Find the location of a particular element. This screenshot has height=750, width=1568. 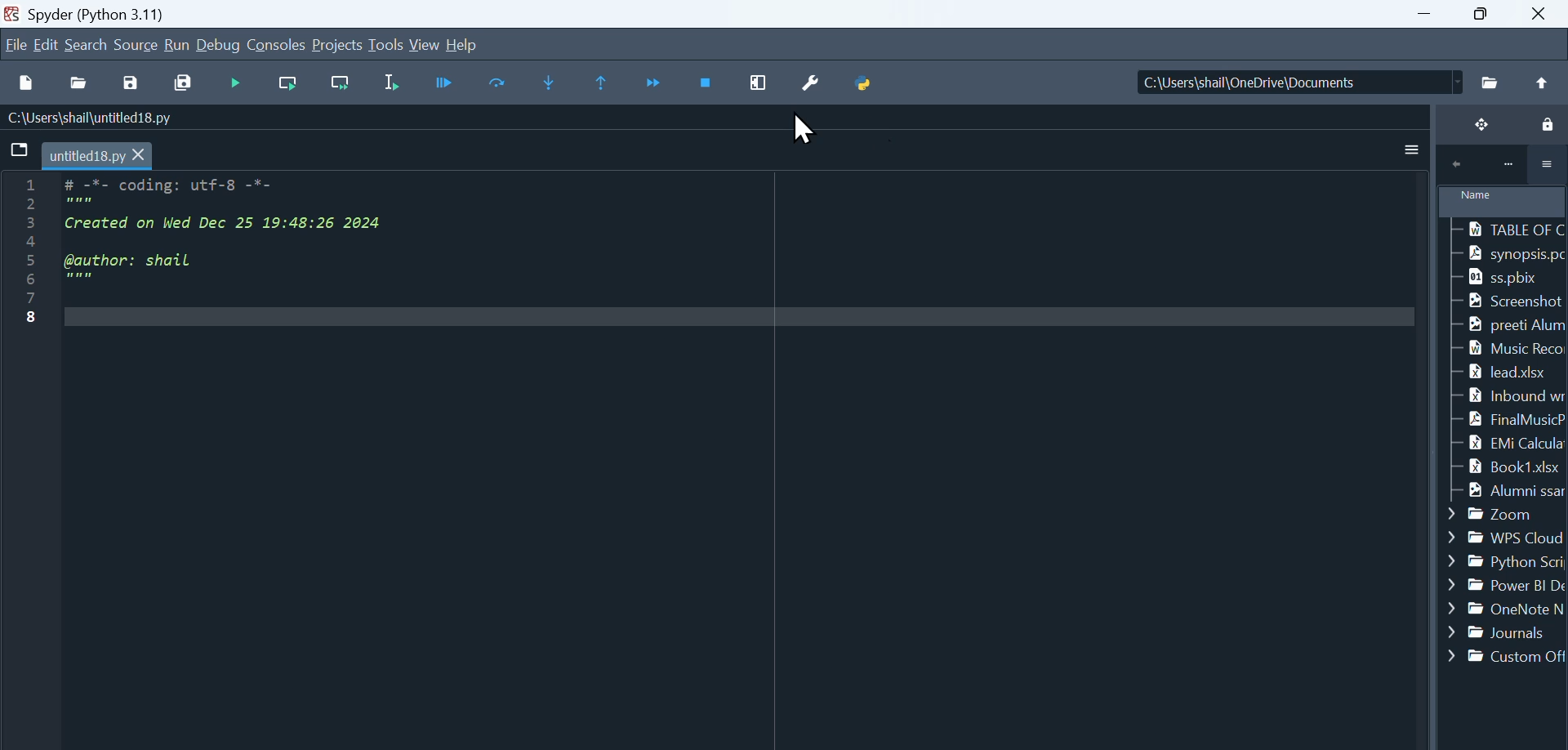

New is located at coordinates (26, 82).